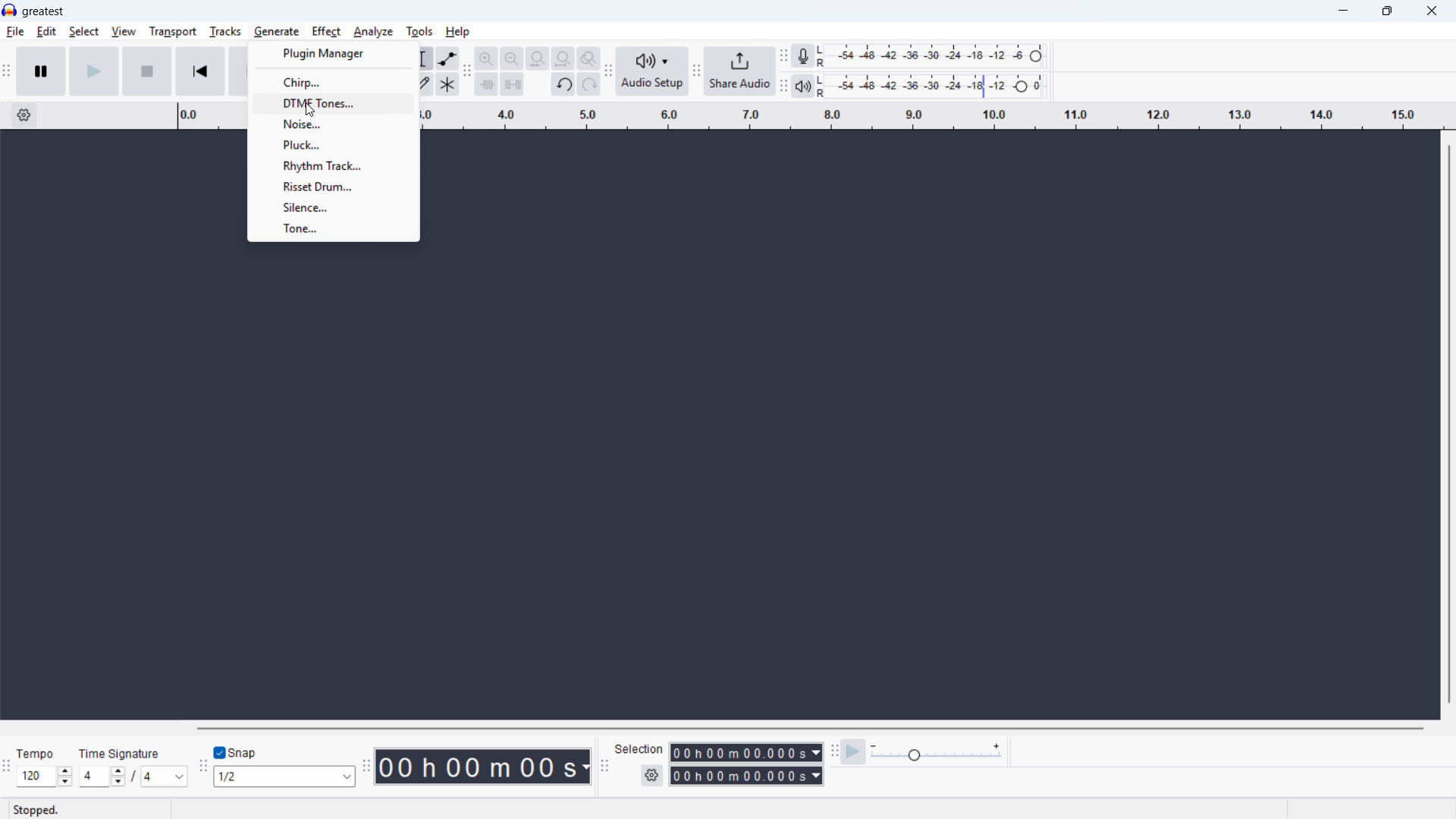 The height and width of the screenshot is (819, 1456). What do you see at coordinates (486, 58) in the screenshot?
I see `zoom in` at bounding box center [486, 58].